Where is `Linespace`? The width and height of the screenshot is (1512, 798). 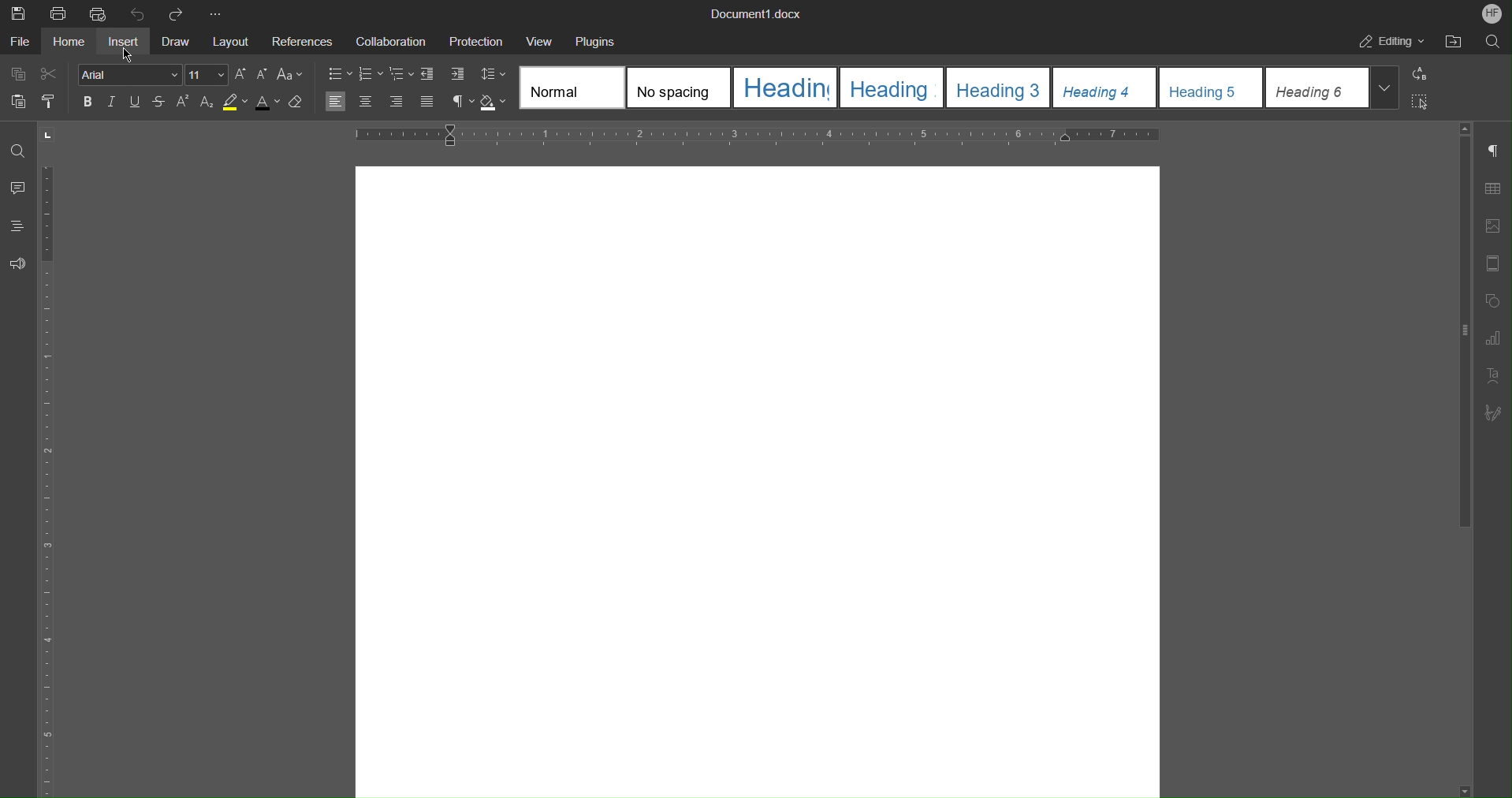 Linespace is located at coordinates (493, 76).